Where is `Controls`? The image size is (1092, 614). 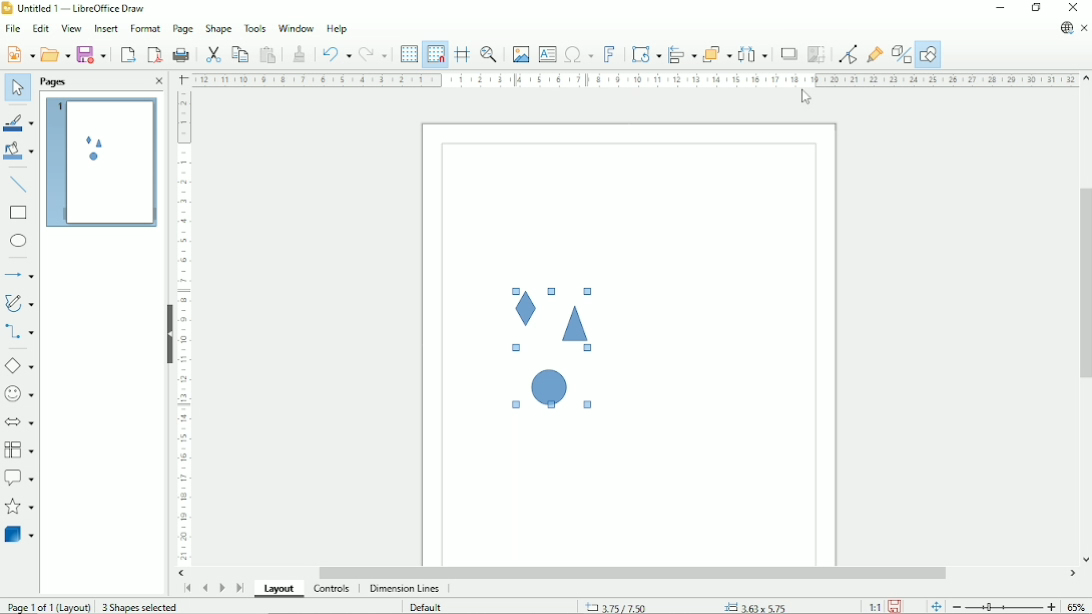
Controls is located at coordinates (332, 590).